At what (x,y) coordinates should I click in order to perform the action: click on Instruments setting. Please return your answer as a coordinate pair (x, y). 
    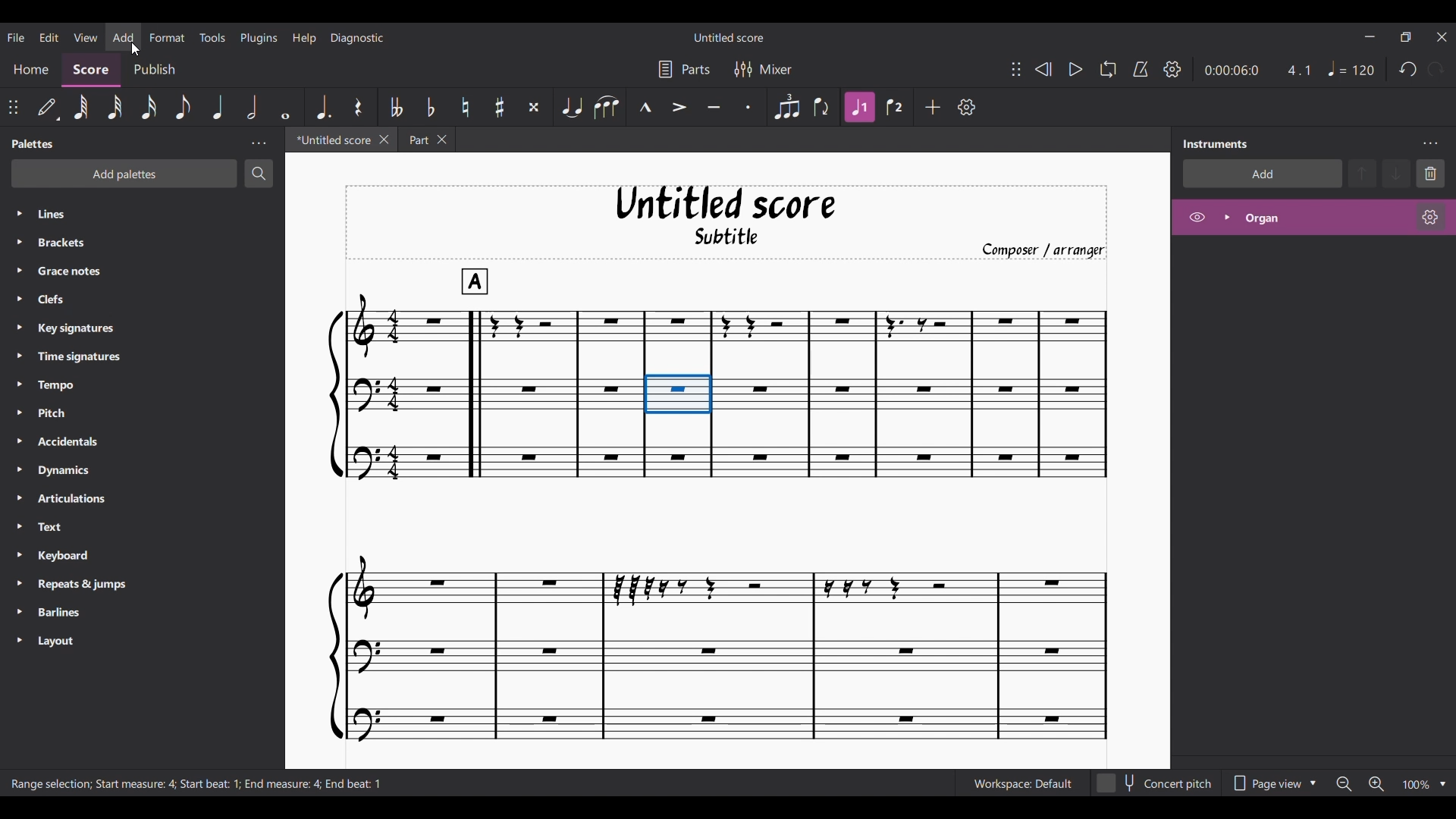
    Looking at the image, I should click on (1430, 143).